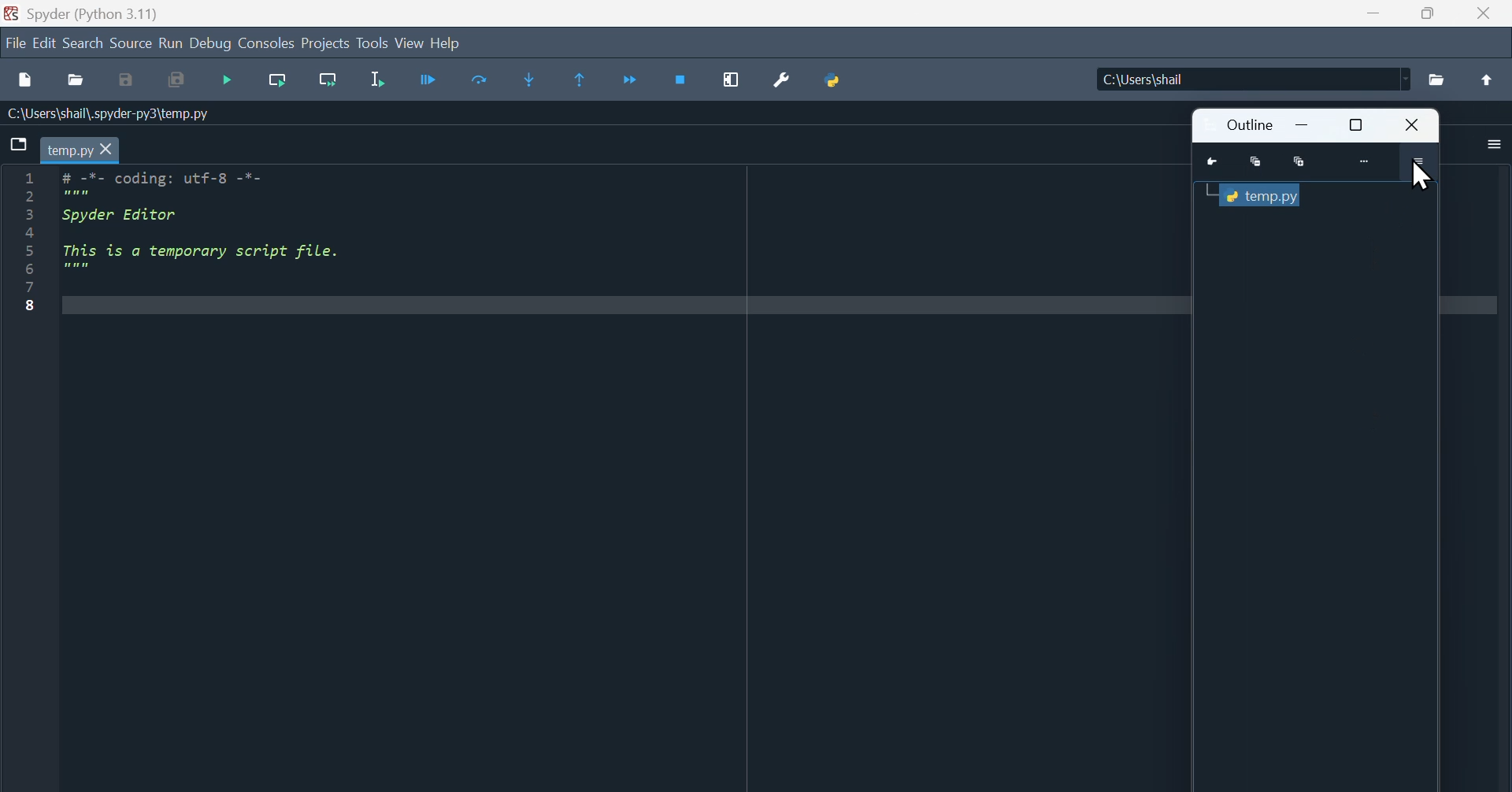 This screenshot has height=792, width=1512. Describe the element at coordinates (227, 80) in the screenshot. I see `Start debugging` at that location.